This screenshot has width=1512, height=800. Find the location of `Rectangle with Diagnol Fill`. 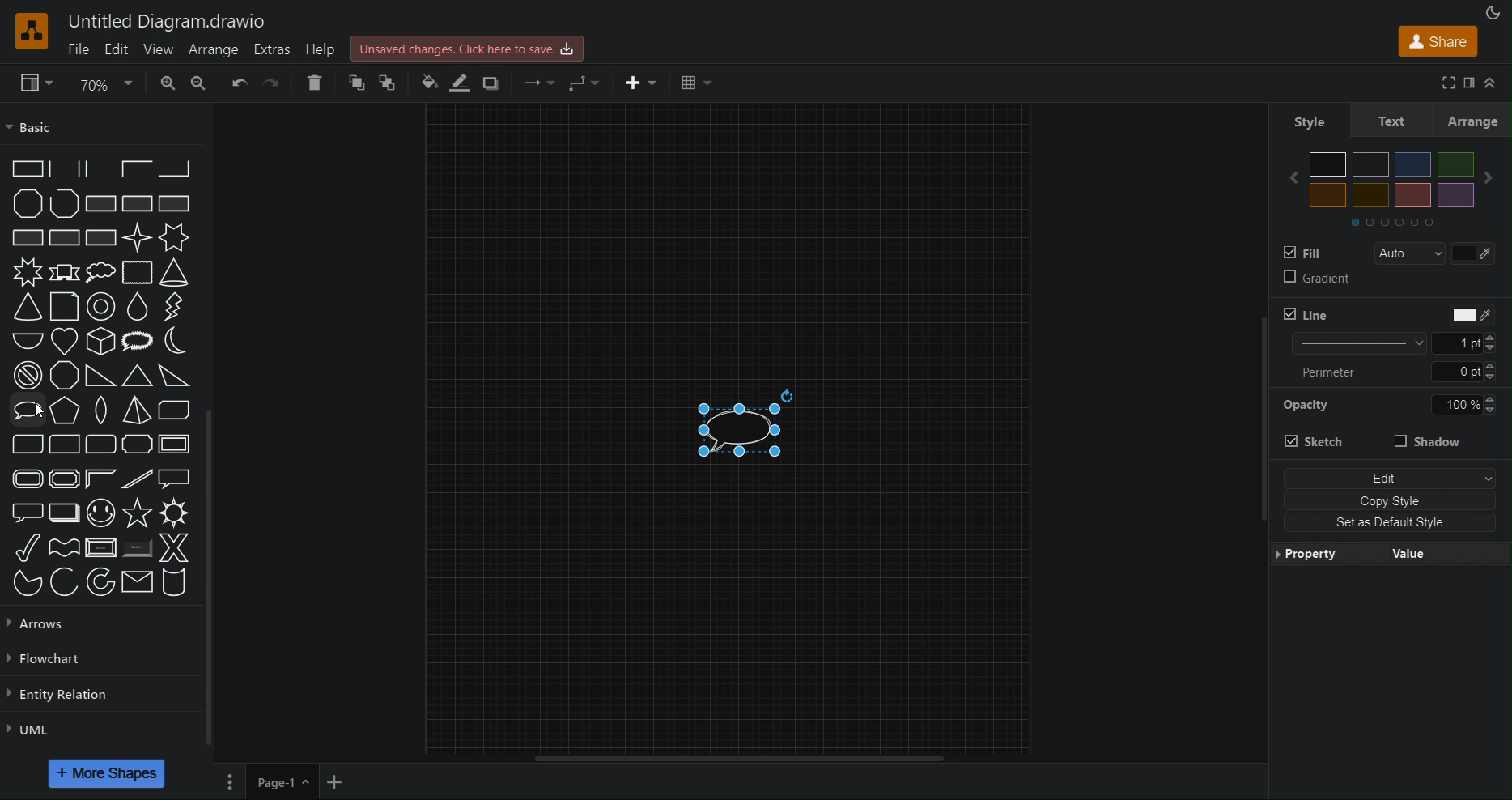

Rectangle with Diagnol Fill is located at coordinates (101, 203).